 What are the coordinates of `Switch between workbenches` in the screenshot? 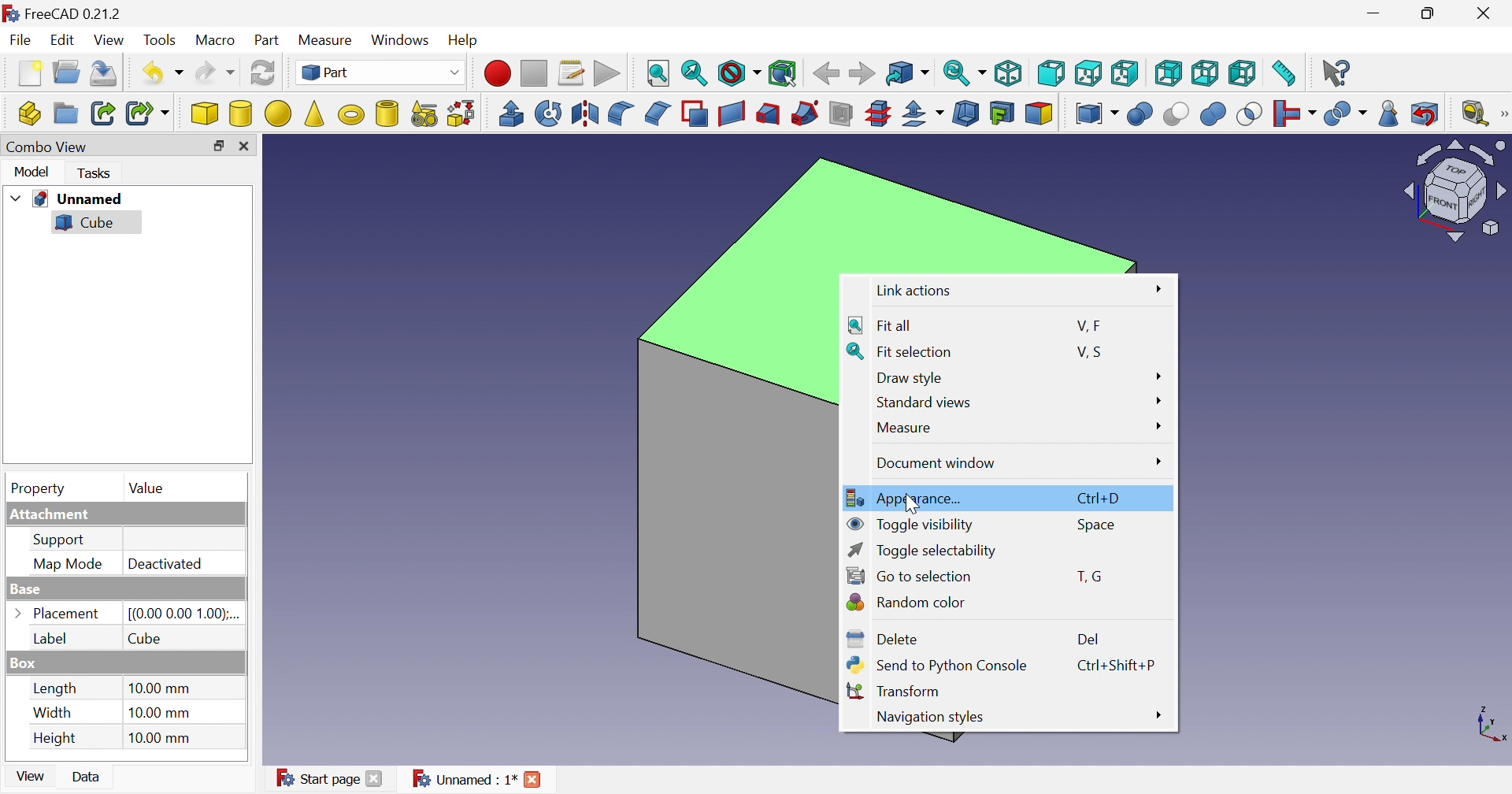 It's located at (383, 72).